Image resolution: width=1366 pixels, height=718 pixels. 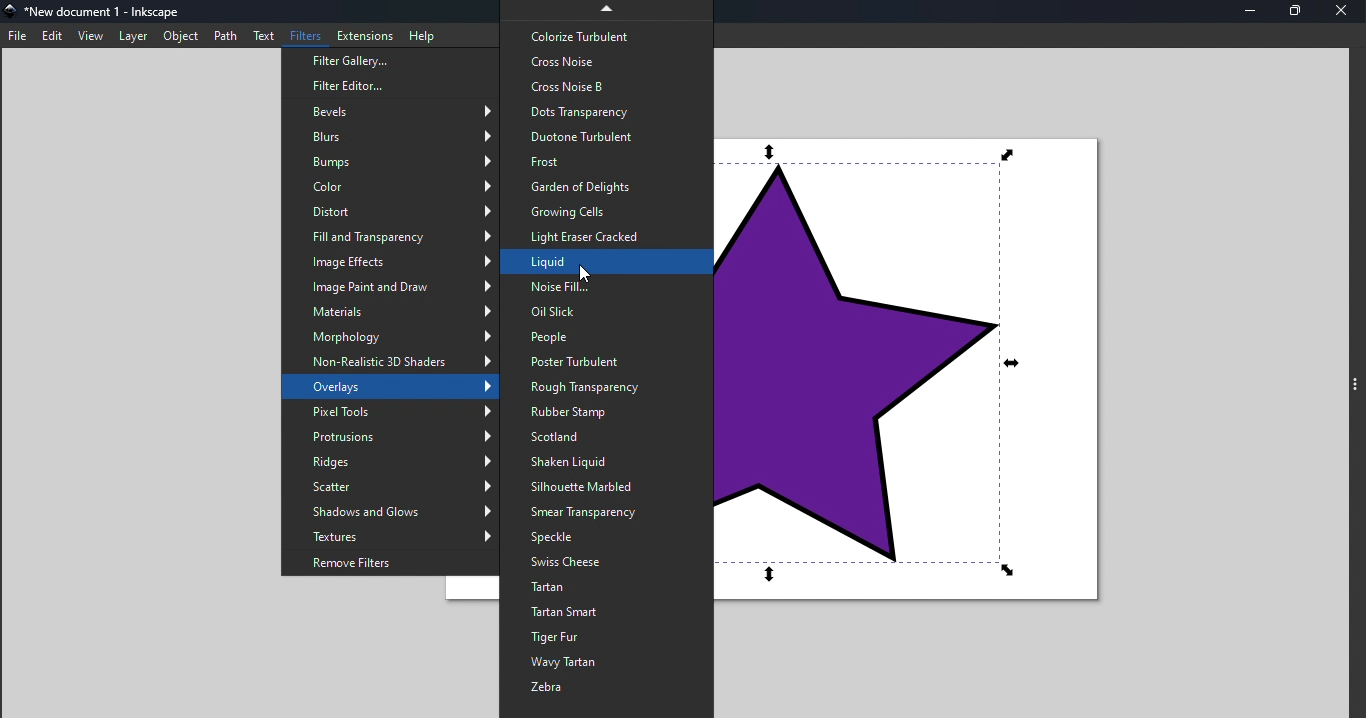 I want to click on Protrusions, so click(x=390, y=436).